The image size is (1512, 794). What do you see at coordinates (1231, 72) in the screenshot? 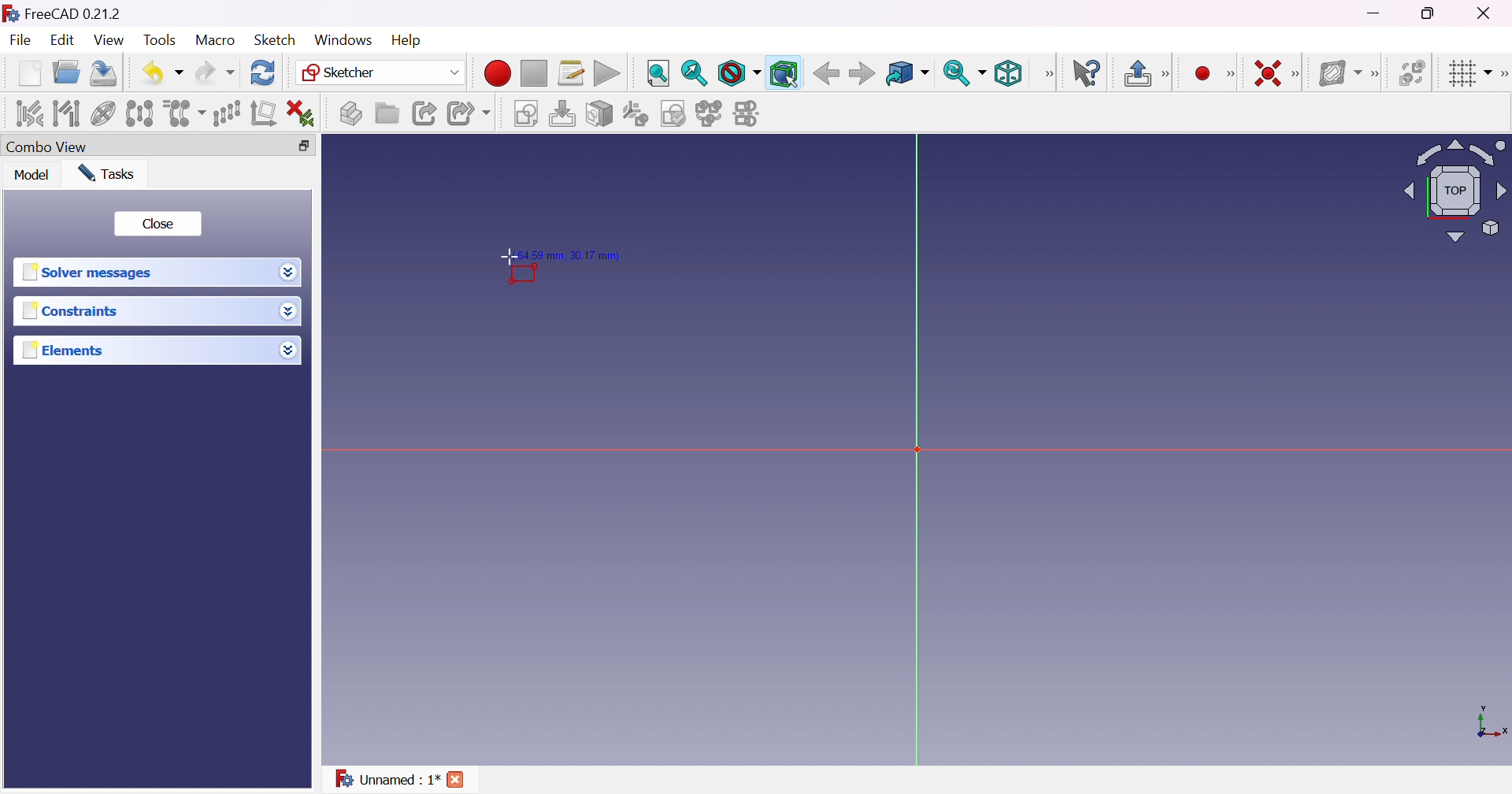
I see `[Sketcher geometrics]` at bounding box center [1231, 72].